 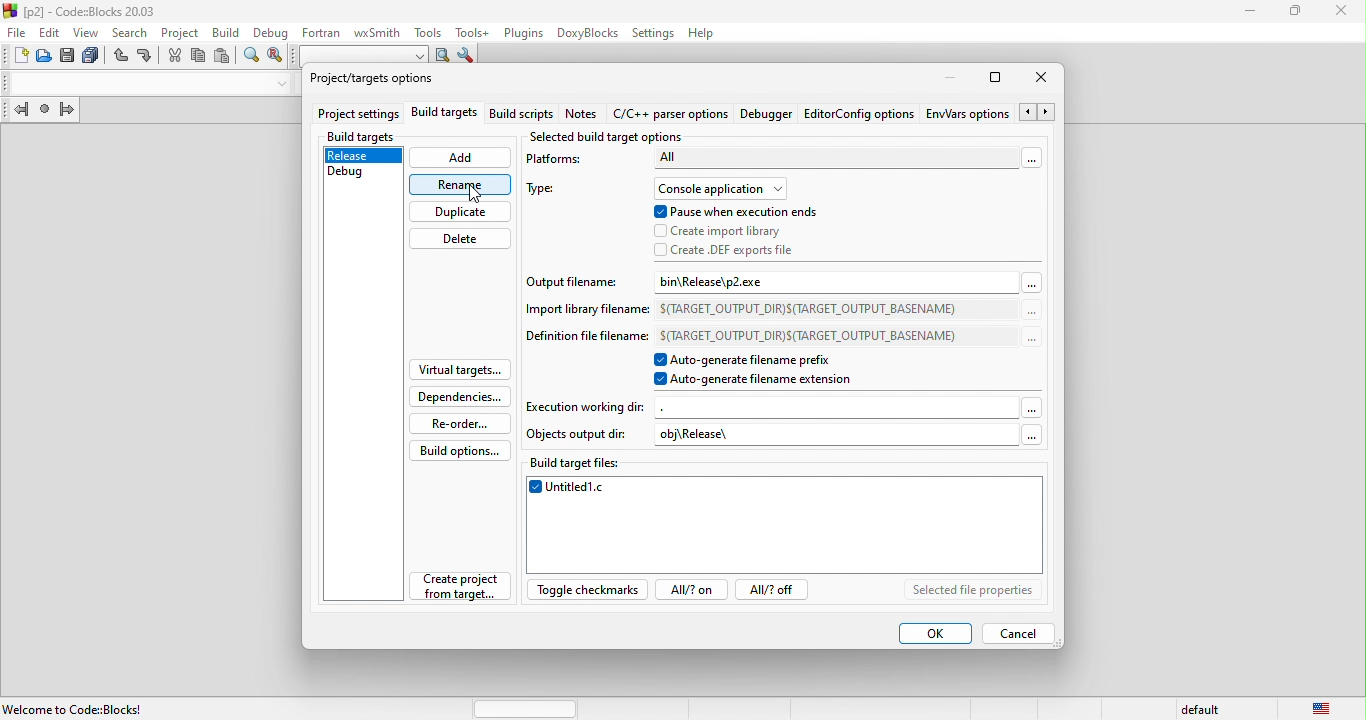 I want to click on minimize, so click(x=1251, y=12).